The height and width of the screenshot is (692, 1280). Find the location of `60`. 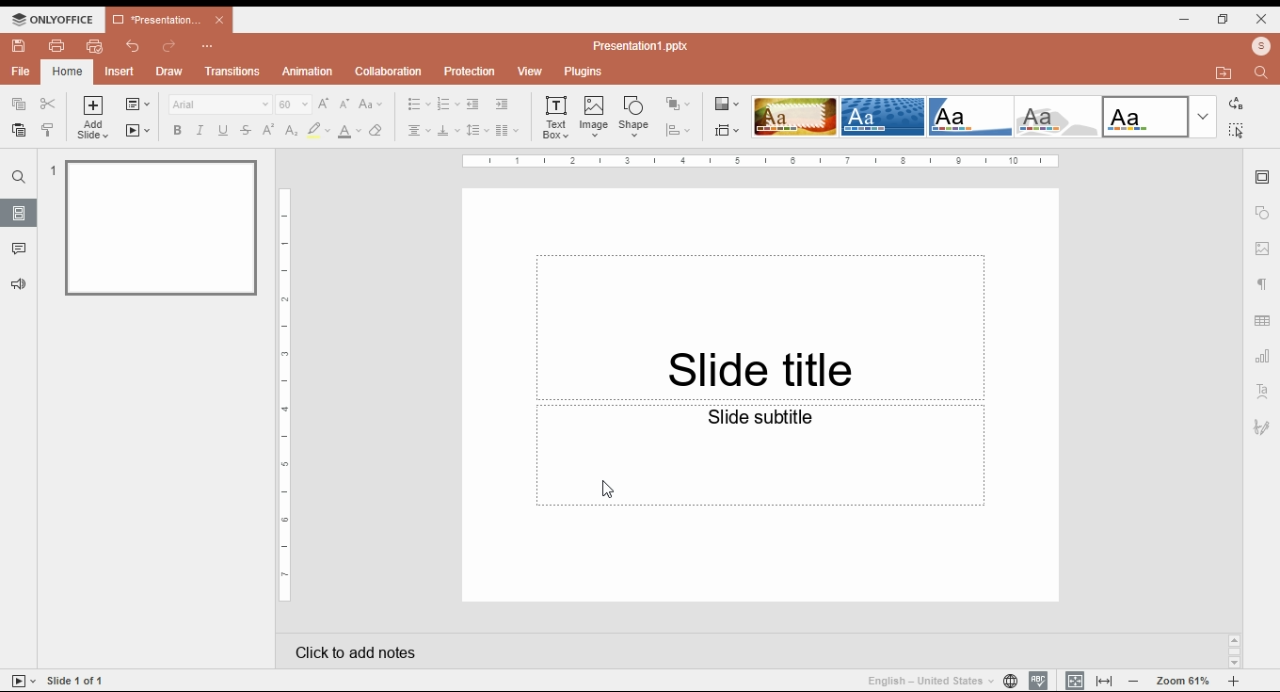

60 is located at coordinates (294, 104).